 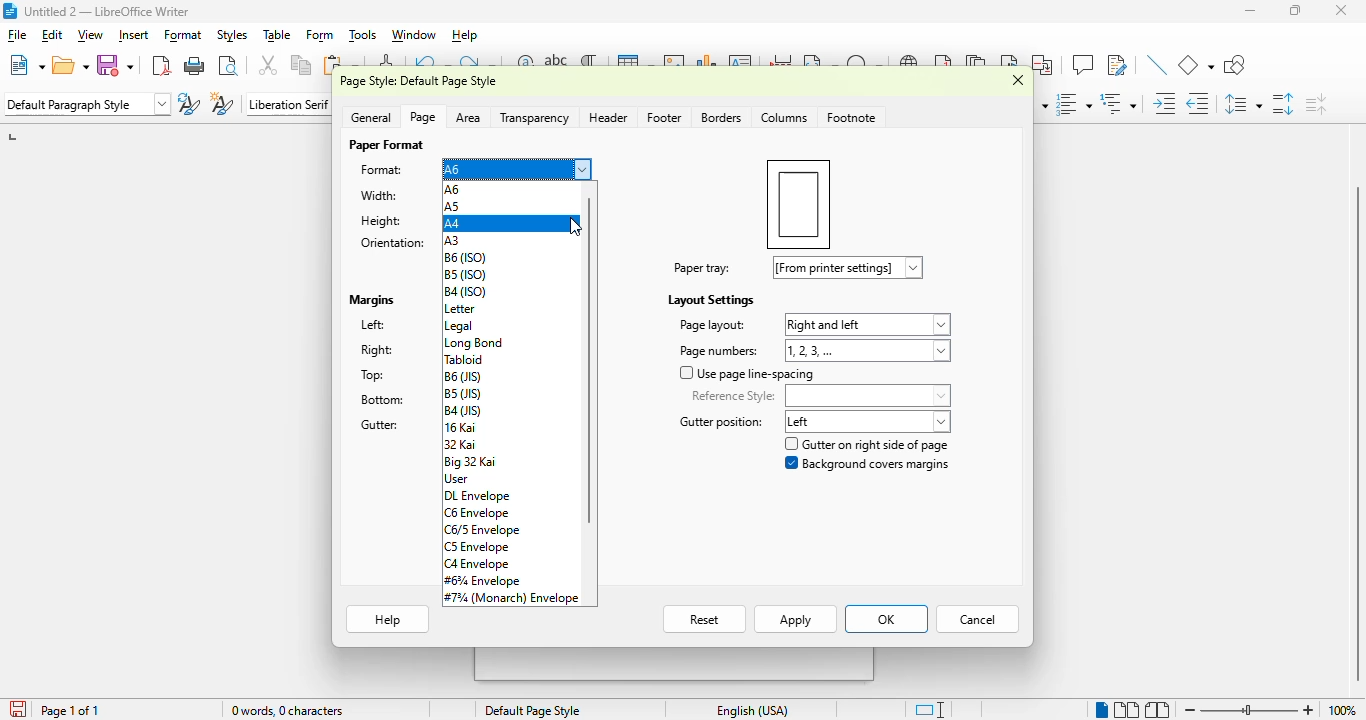 What do you see at coordinates (454, 206) in the screenshot?
I see `A5` at bounding box center [454, 206].